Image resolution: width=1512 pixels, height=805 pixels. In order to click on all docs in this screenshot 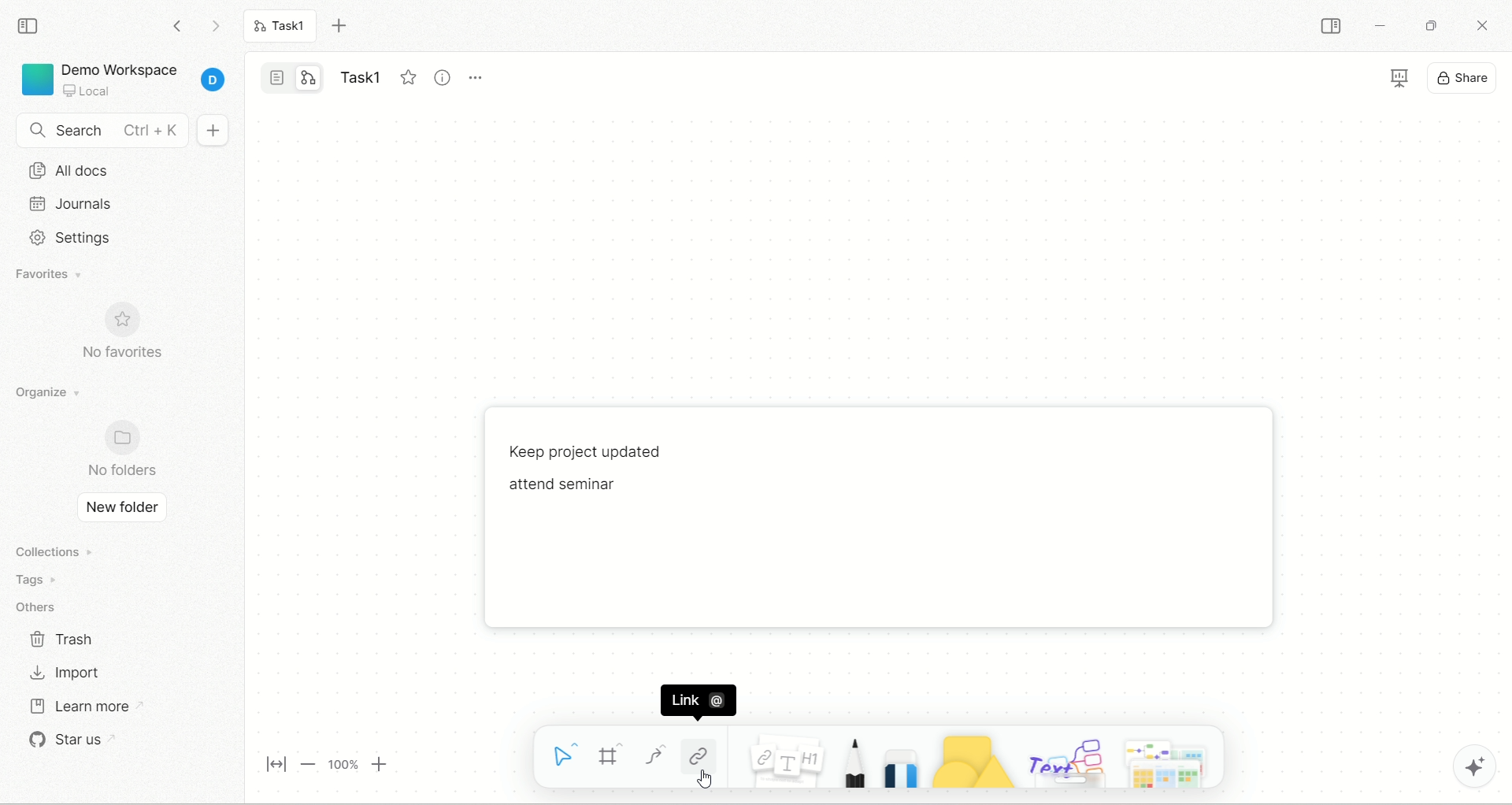, I will do `click(120, 172)`.